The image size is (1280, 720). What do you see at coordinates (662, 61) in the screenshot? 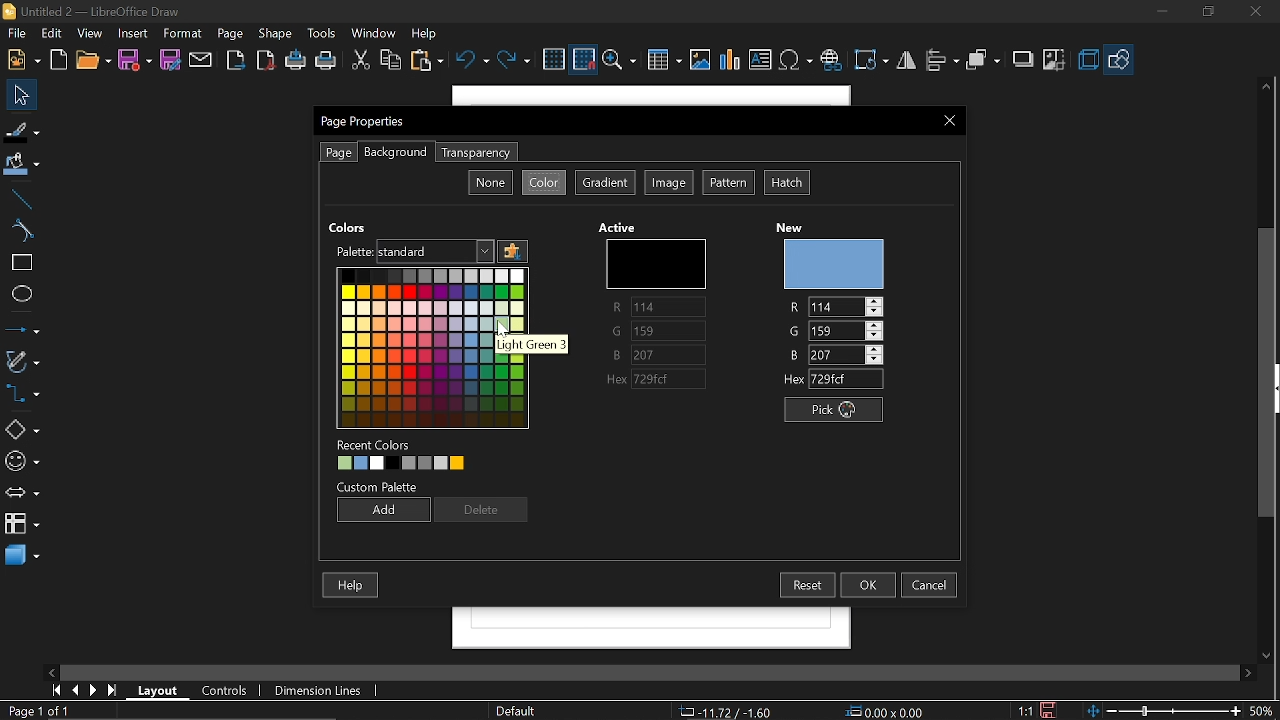
I see `Insert table` at bounding box center [662, 61].